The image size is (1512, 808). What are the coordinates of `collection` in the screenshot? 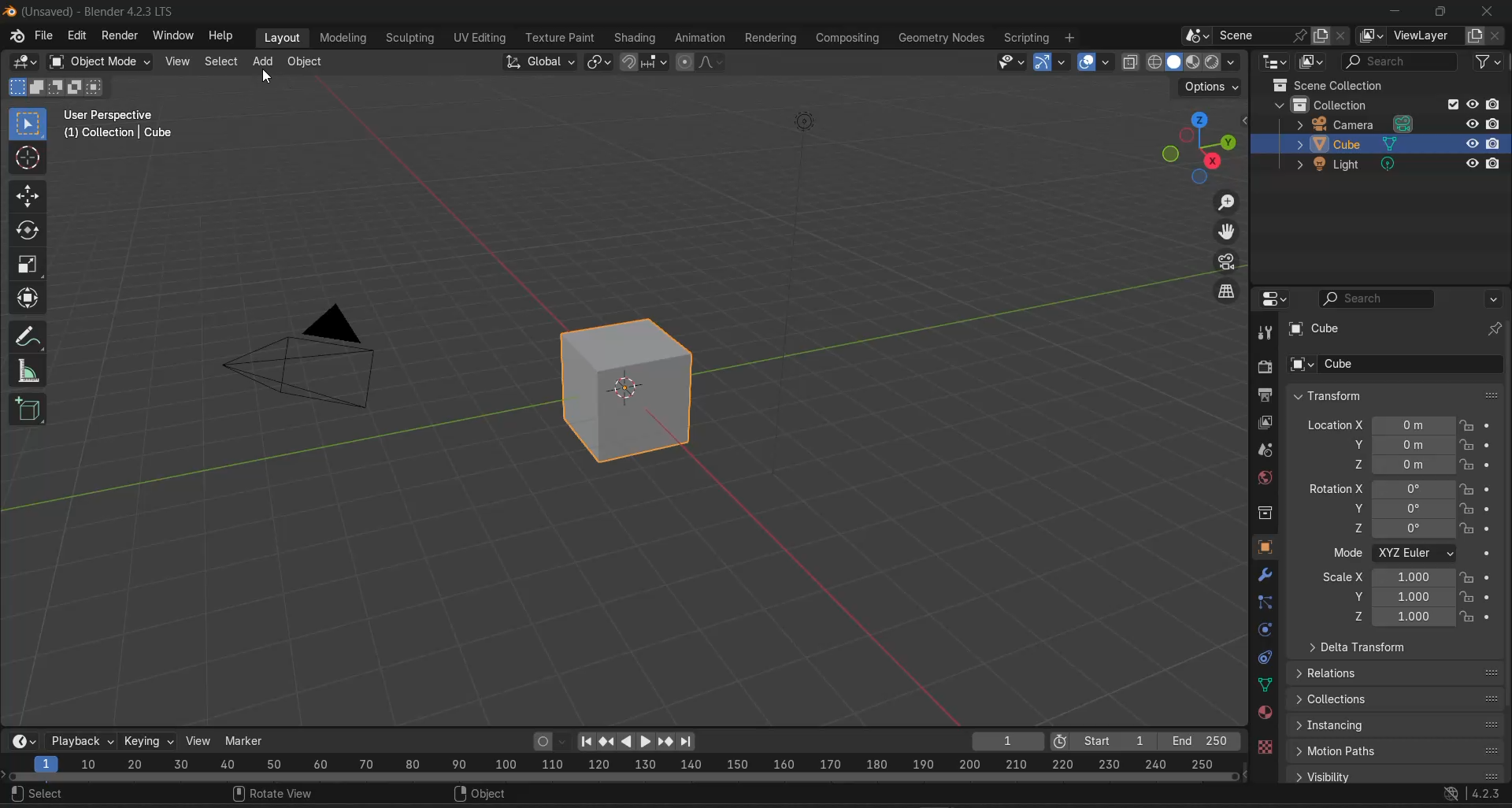 It's located at (1340, 103).